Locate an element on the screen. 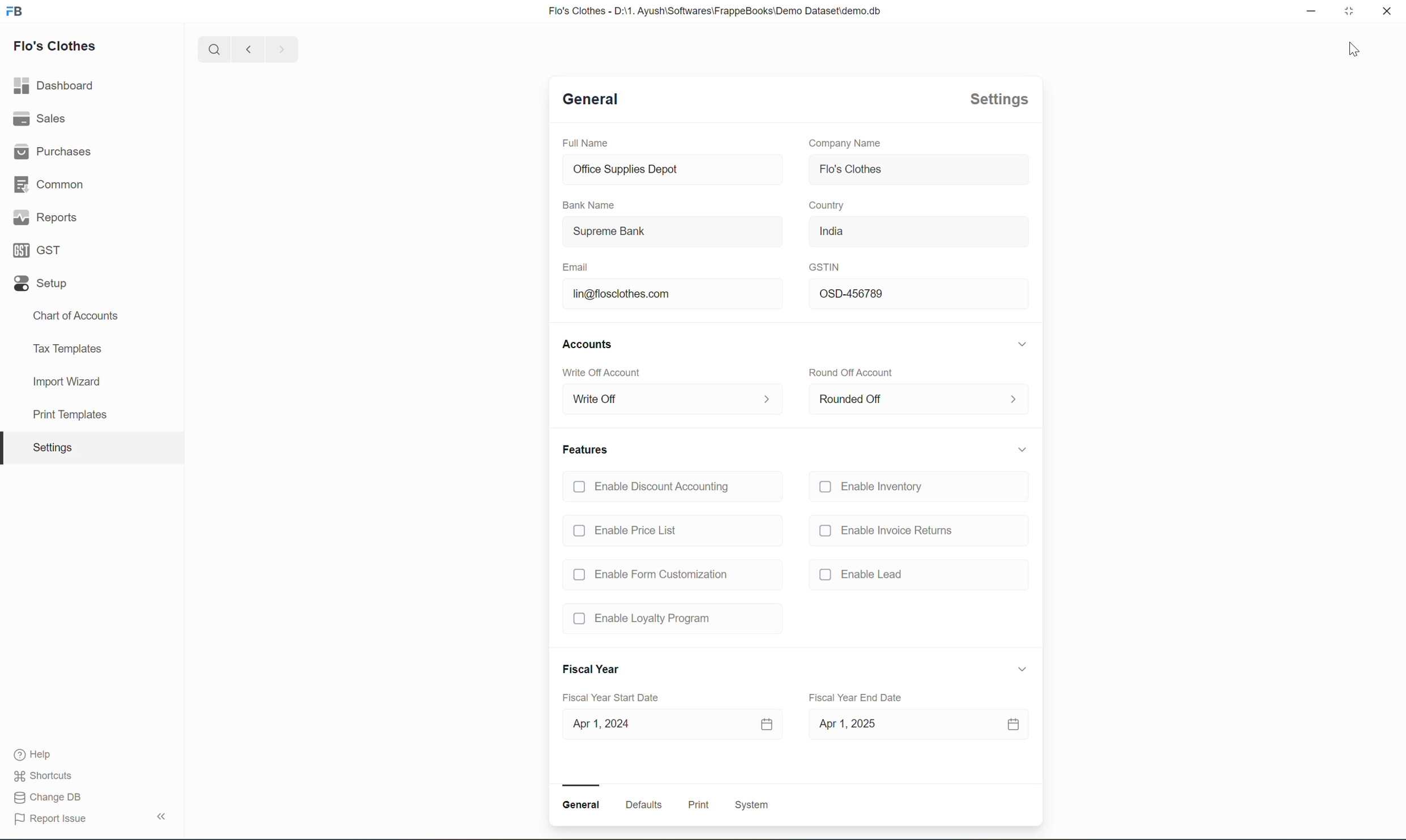  GST is located at coordinates (38, 250).